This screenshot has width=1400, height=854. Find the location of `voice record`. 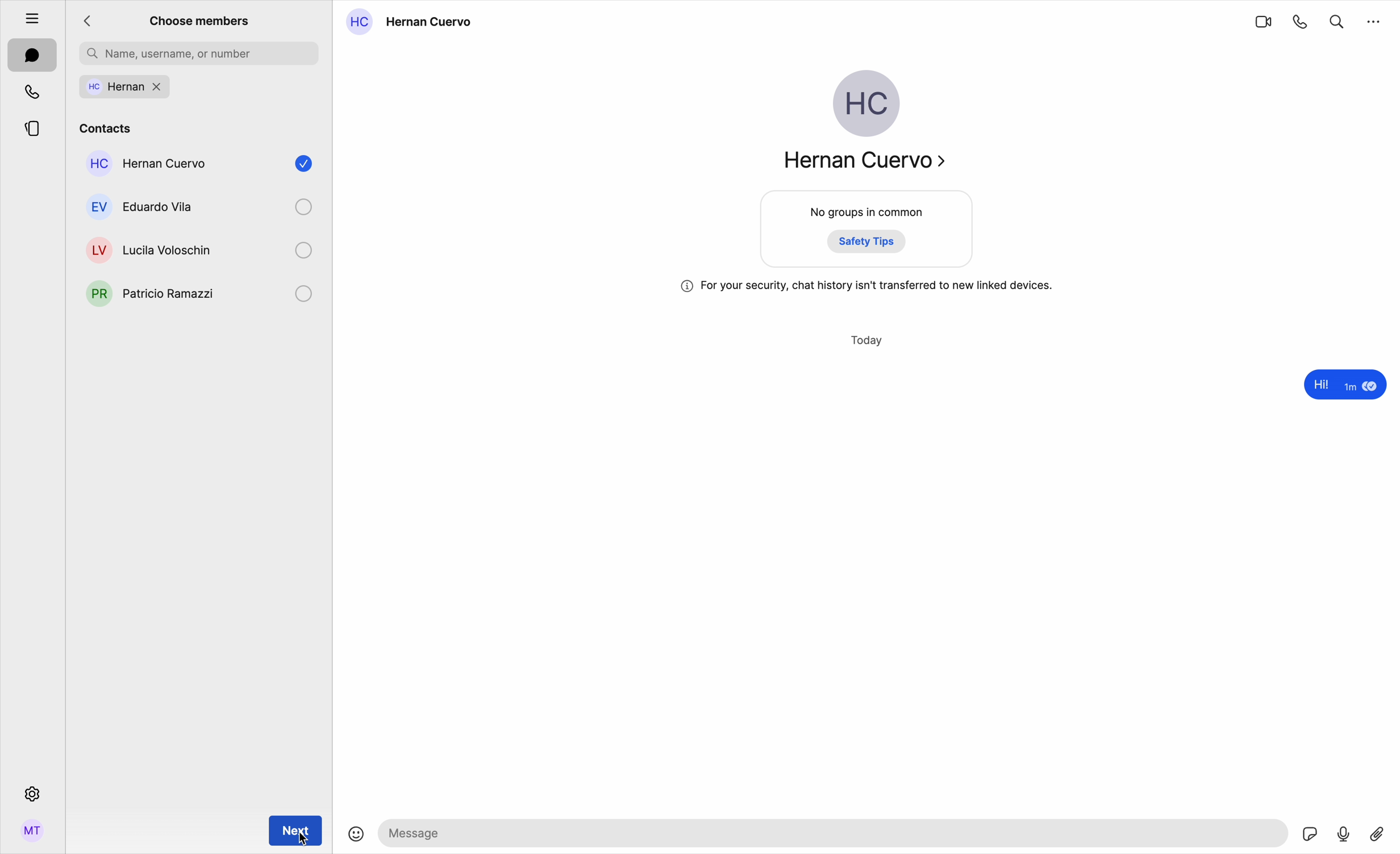

voice record is located at coordinates (1344, 832).